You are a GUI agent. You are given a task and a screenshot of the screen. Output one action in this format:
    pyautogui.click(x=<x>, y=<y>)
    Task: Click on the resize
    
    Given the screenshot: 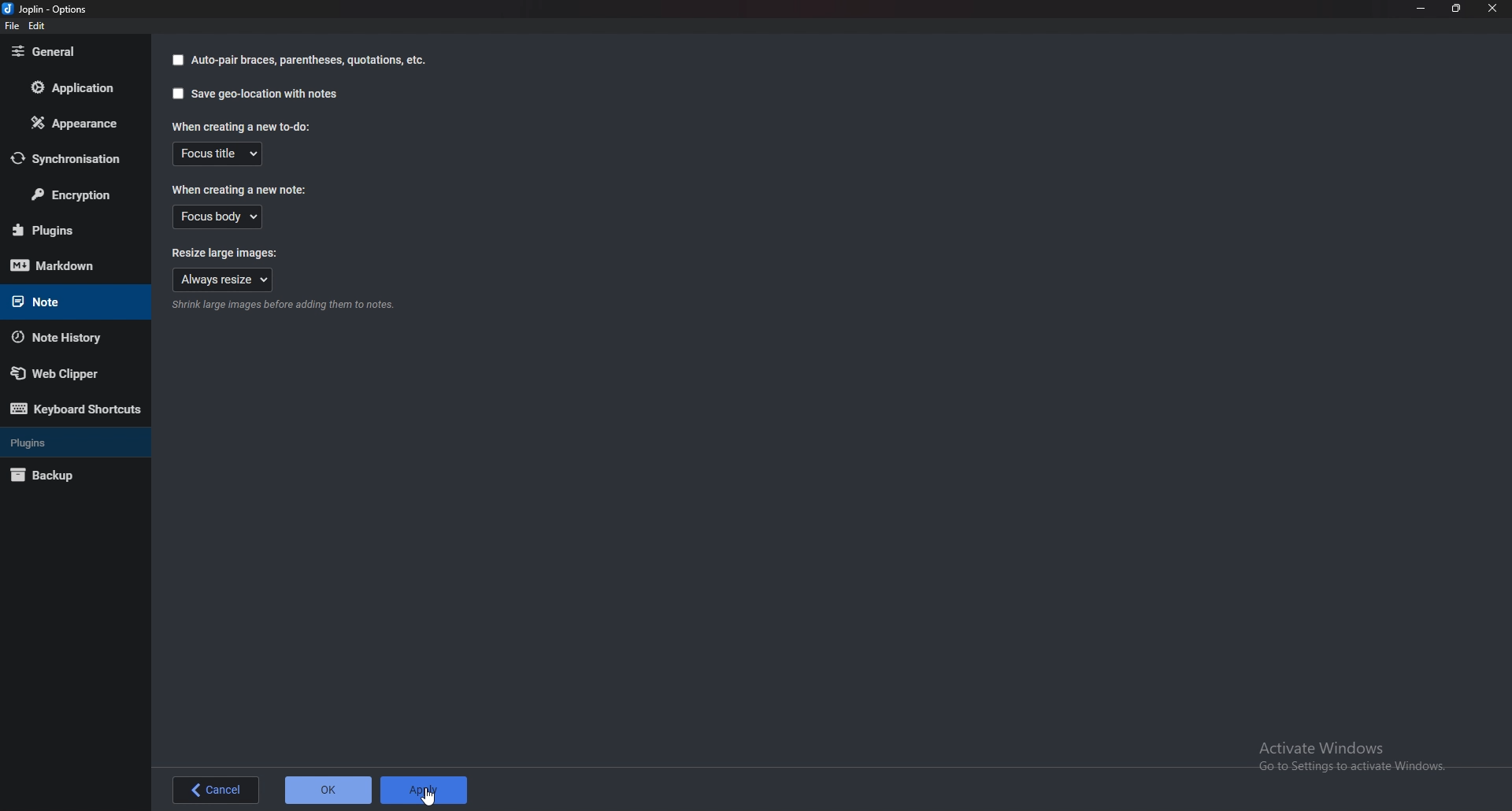 What is the action you would take?
    pyautogui.click(x=1457, y=8)
    